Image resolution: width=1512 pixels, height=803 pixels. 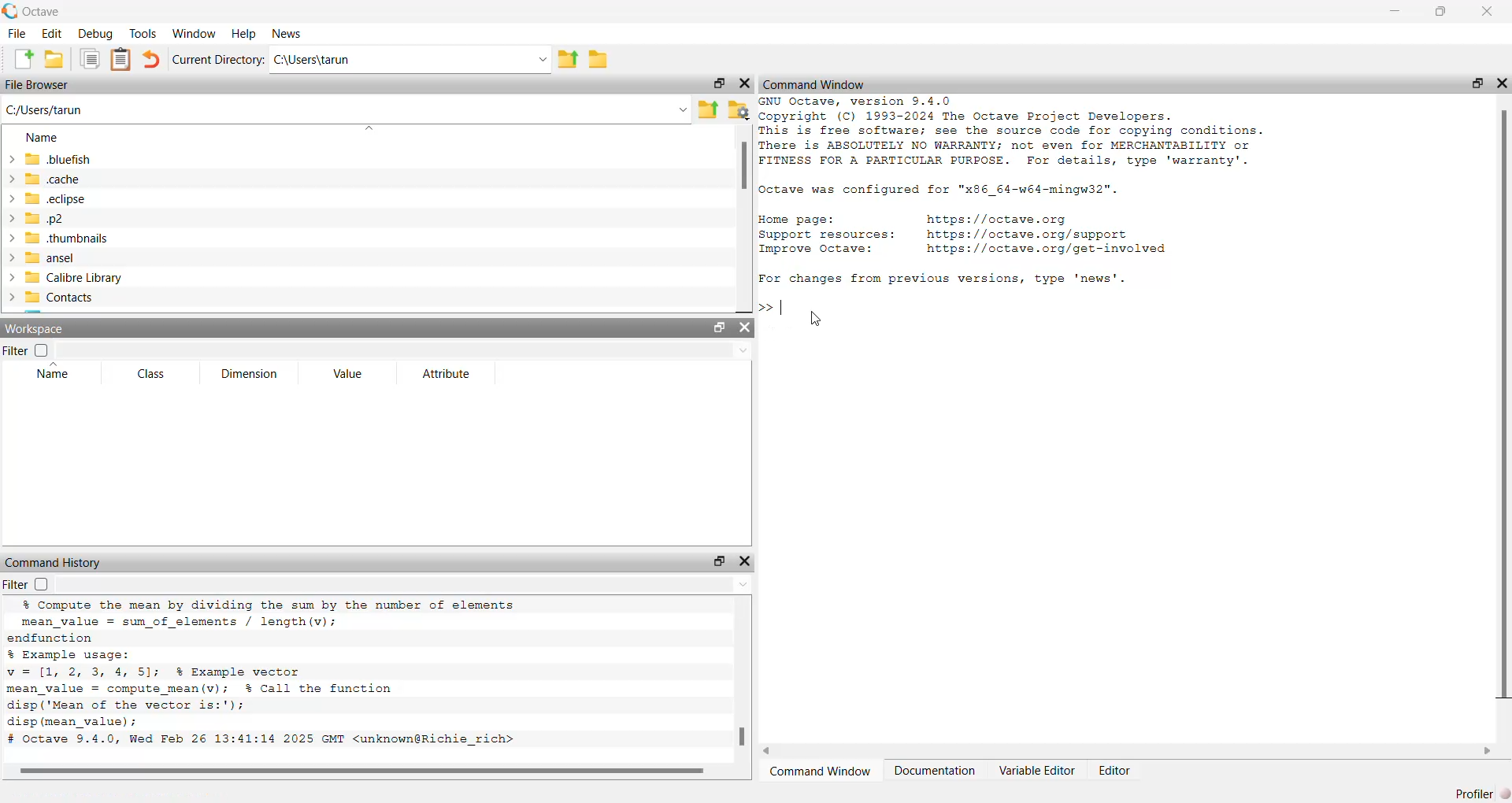 What do you see at coordinates (721, 561) in the screenshot?
I see `open in separate window` at bounding box center [721, 561].